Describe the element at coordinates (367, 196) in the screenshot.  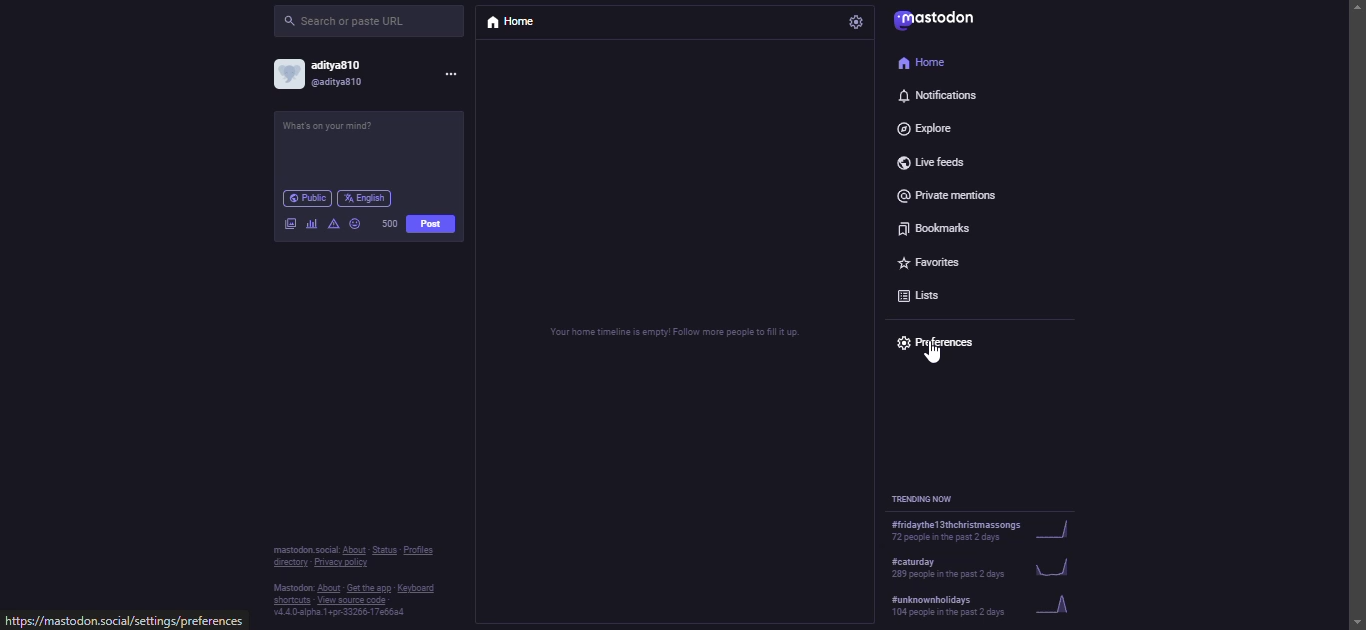
I see `english` at that location.